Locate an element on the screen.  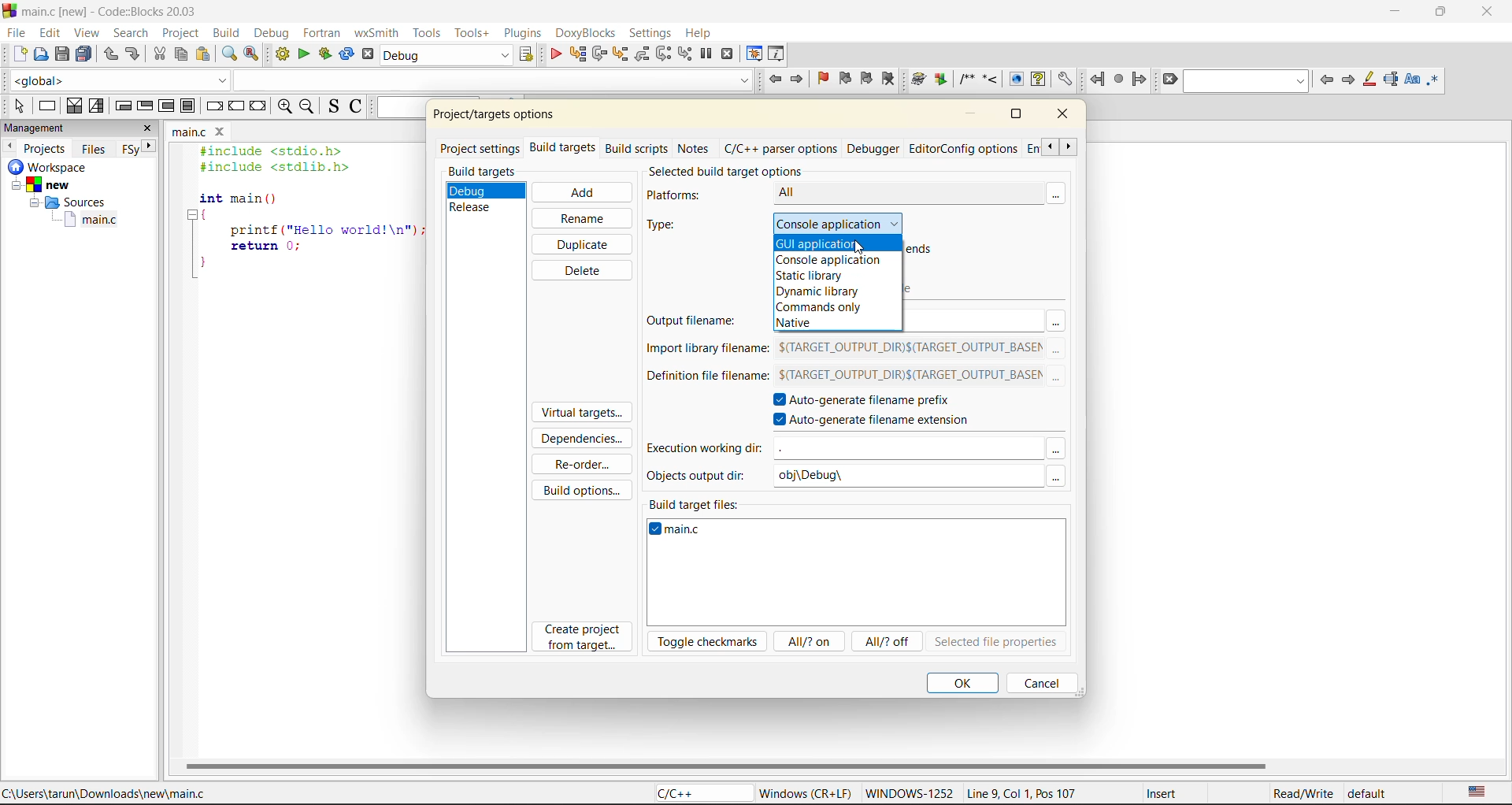
editor/config options is located at coordinates (973, 150).